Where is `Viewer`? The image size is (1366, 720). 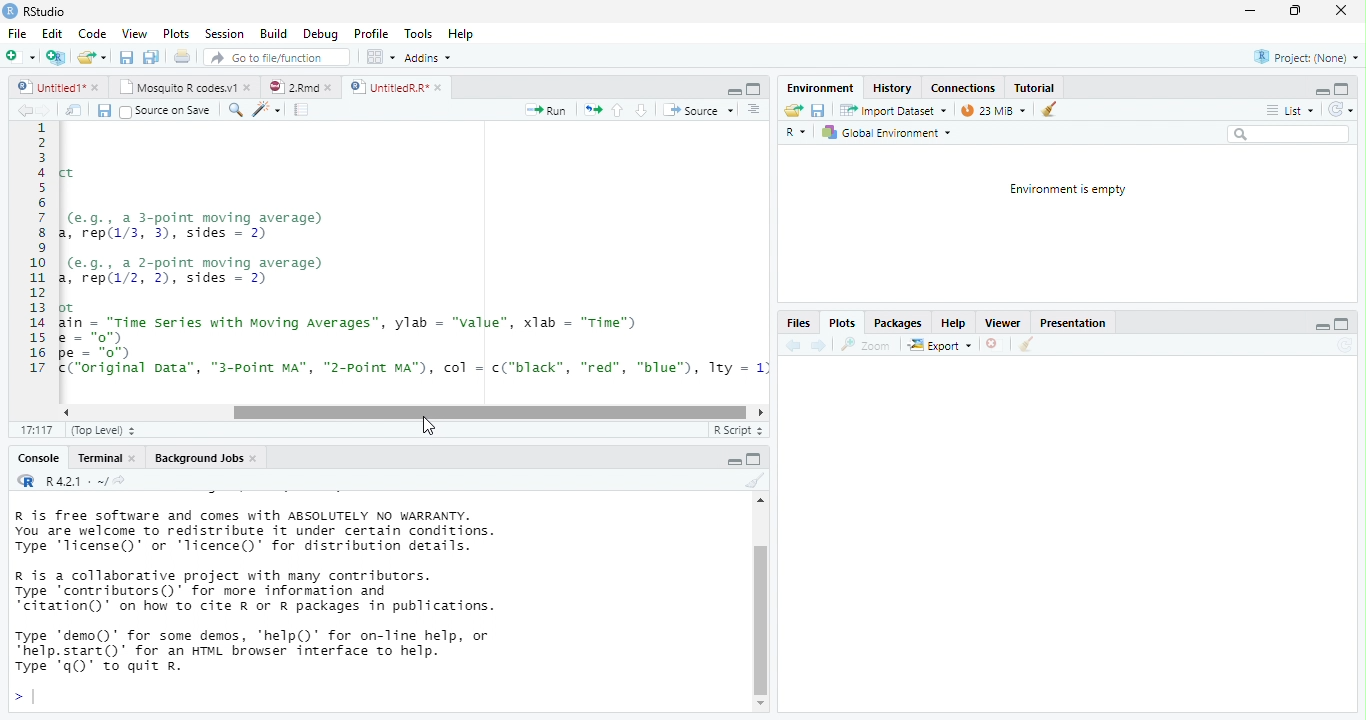
Viewer is located at coordinates (1002, 323).